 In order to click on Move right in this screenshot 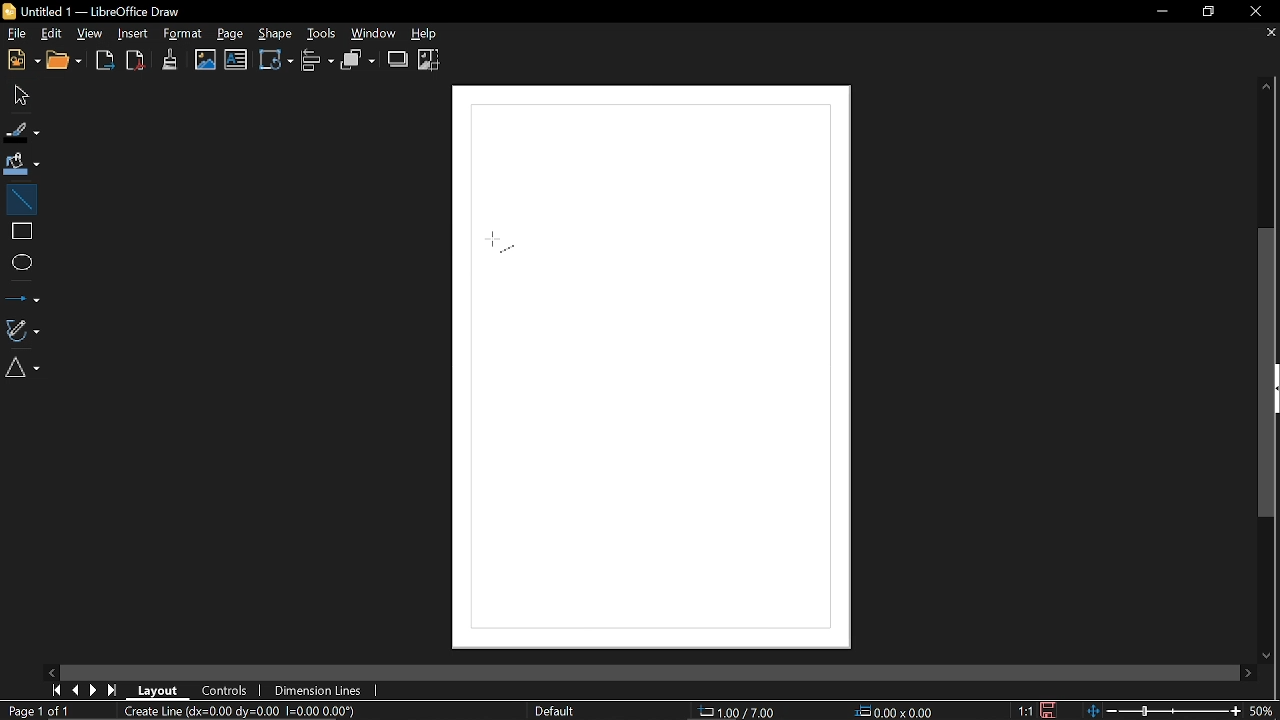, I will do `click(1250, 673)`.